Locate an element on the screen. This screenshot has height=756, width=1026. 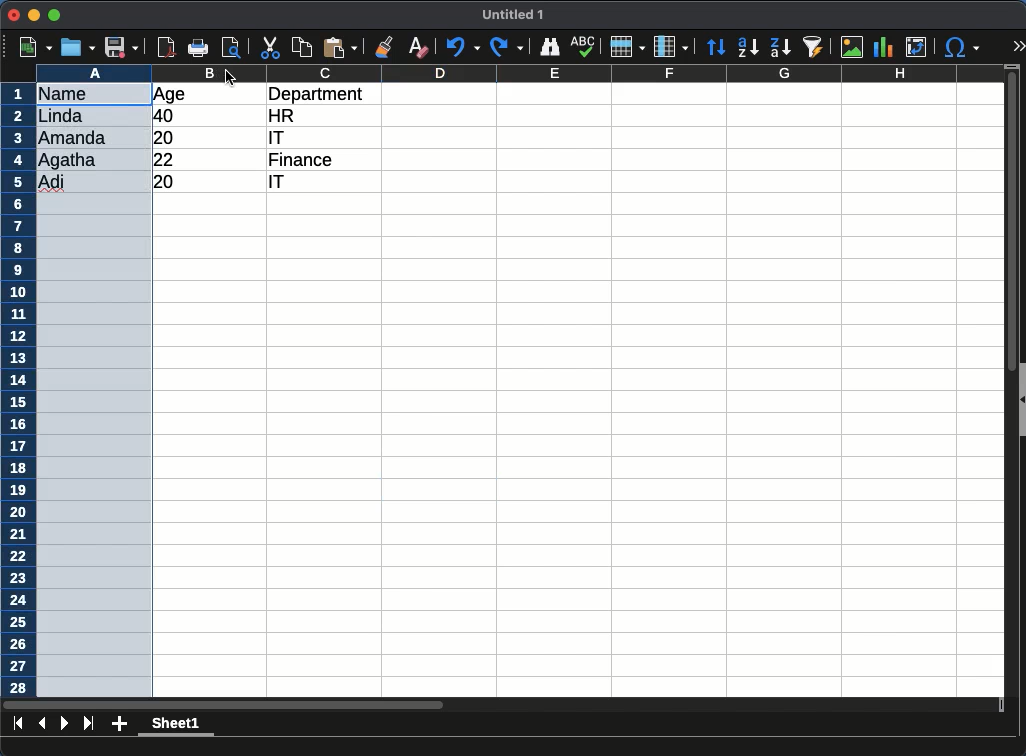
hr is located at coordinates (283, 115).